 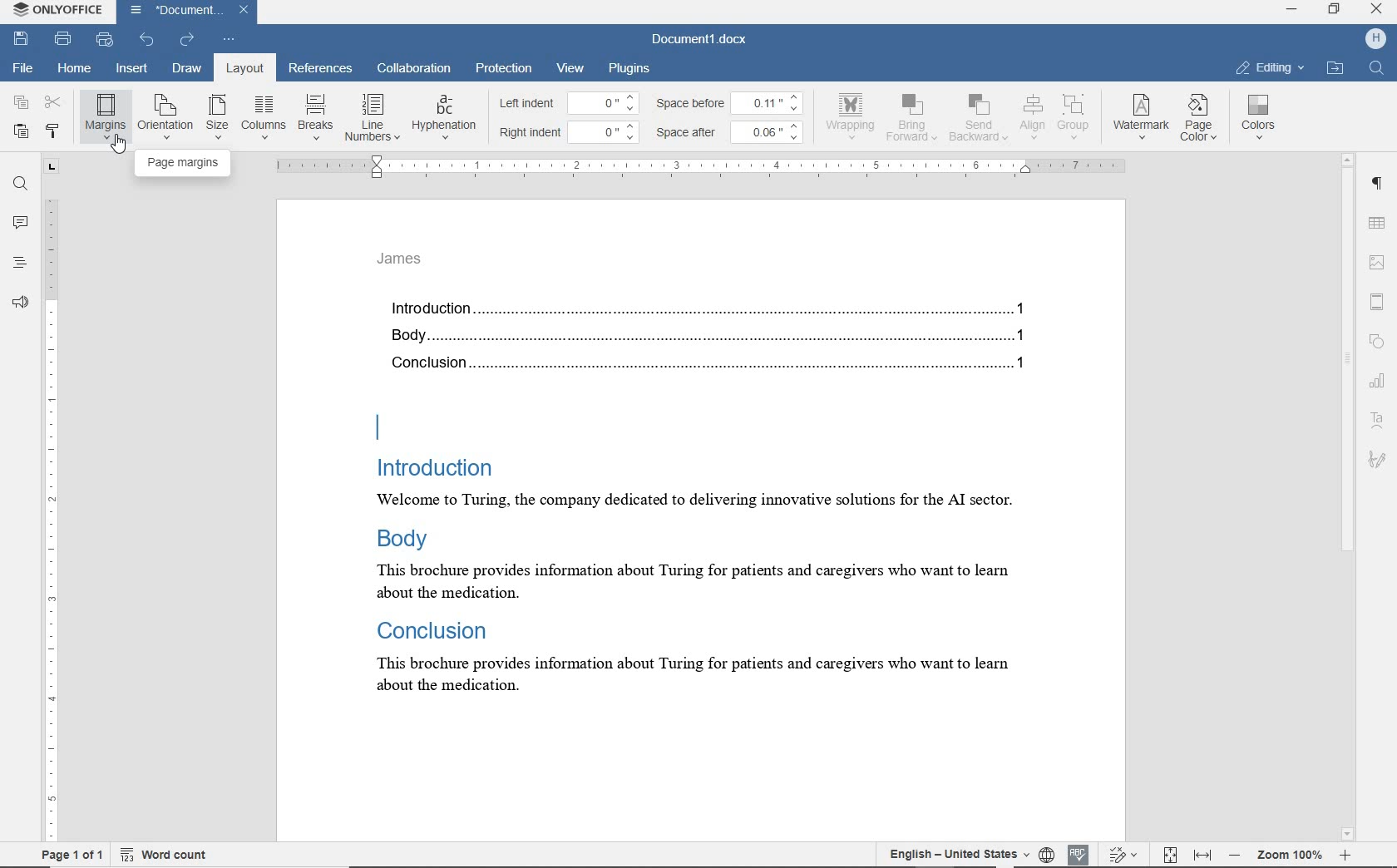 I want to click on comments, so click(x=20, y=223).